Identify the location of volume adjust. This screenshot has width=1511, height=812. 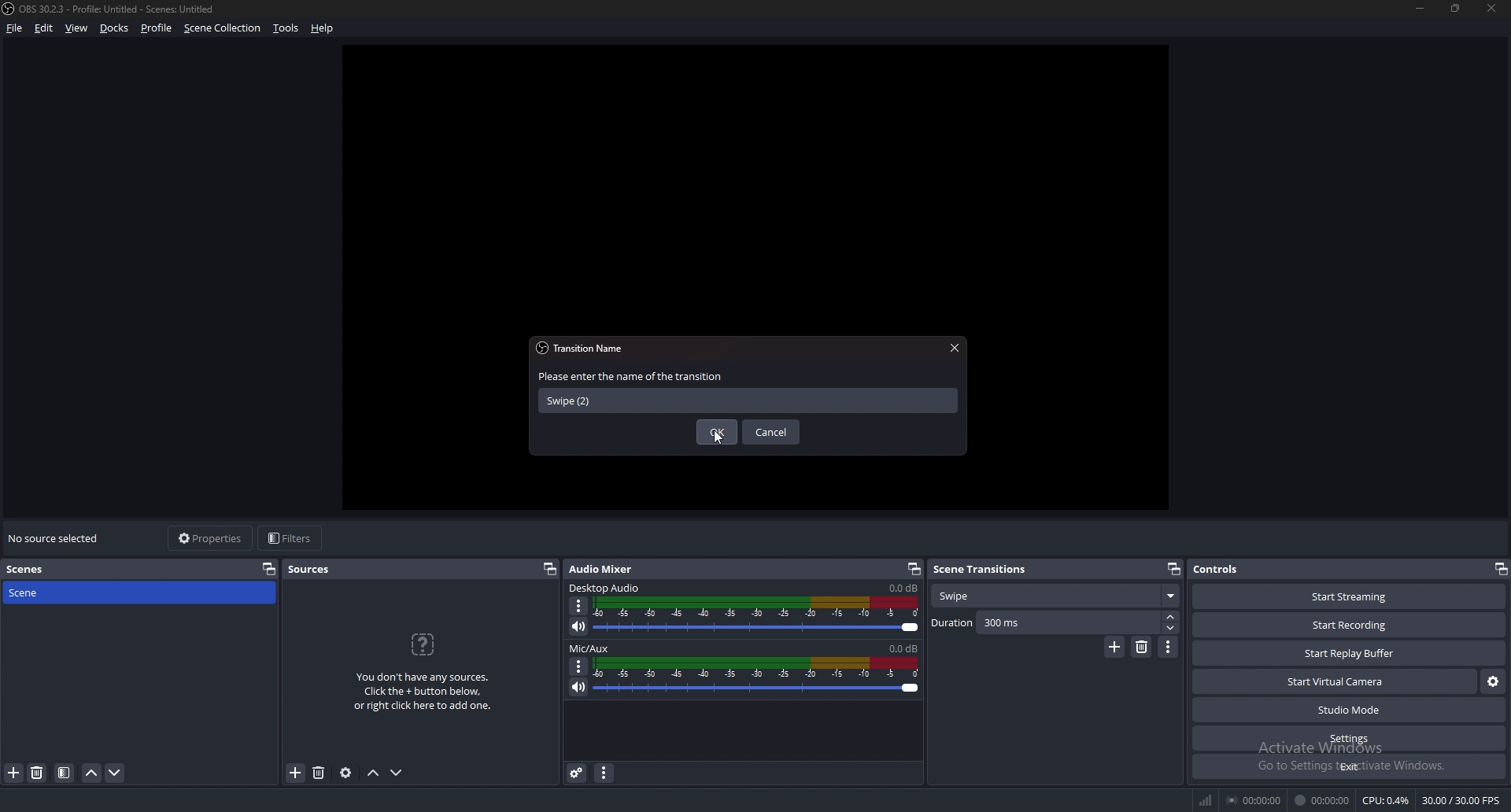
(758, 616).